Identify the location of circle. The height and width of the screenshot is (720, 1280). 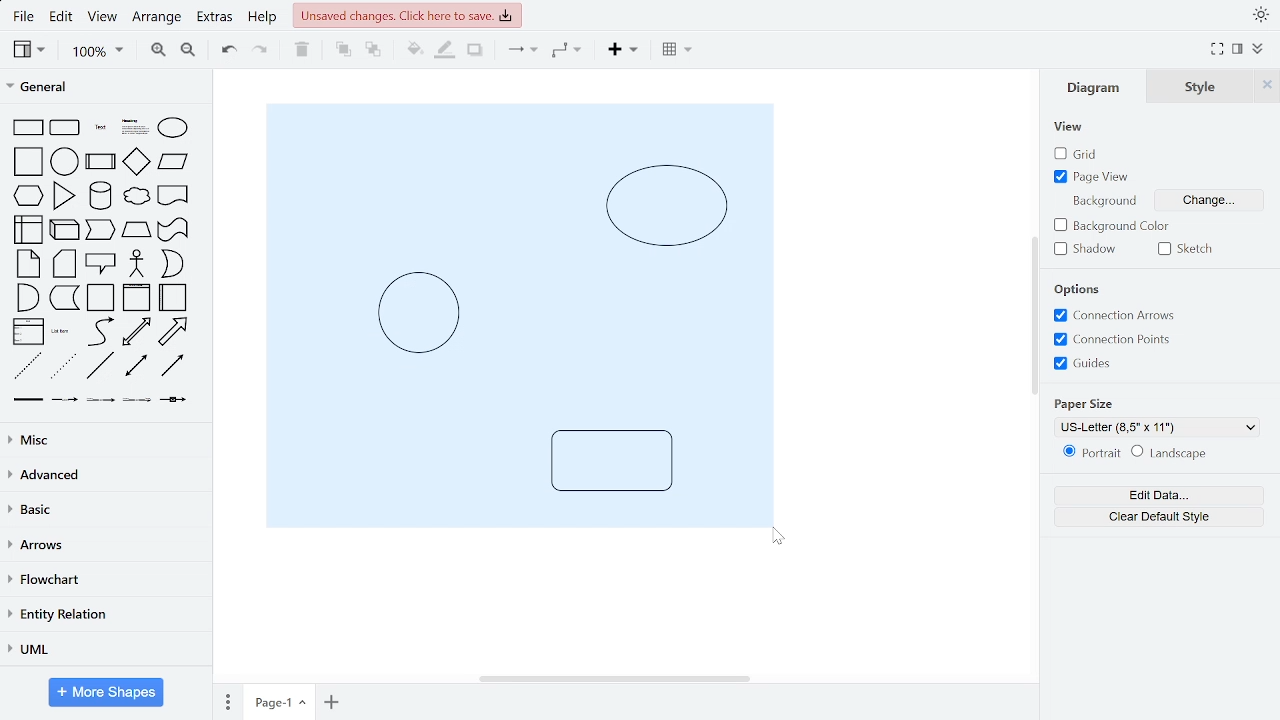
(65, 161).